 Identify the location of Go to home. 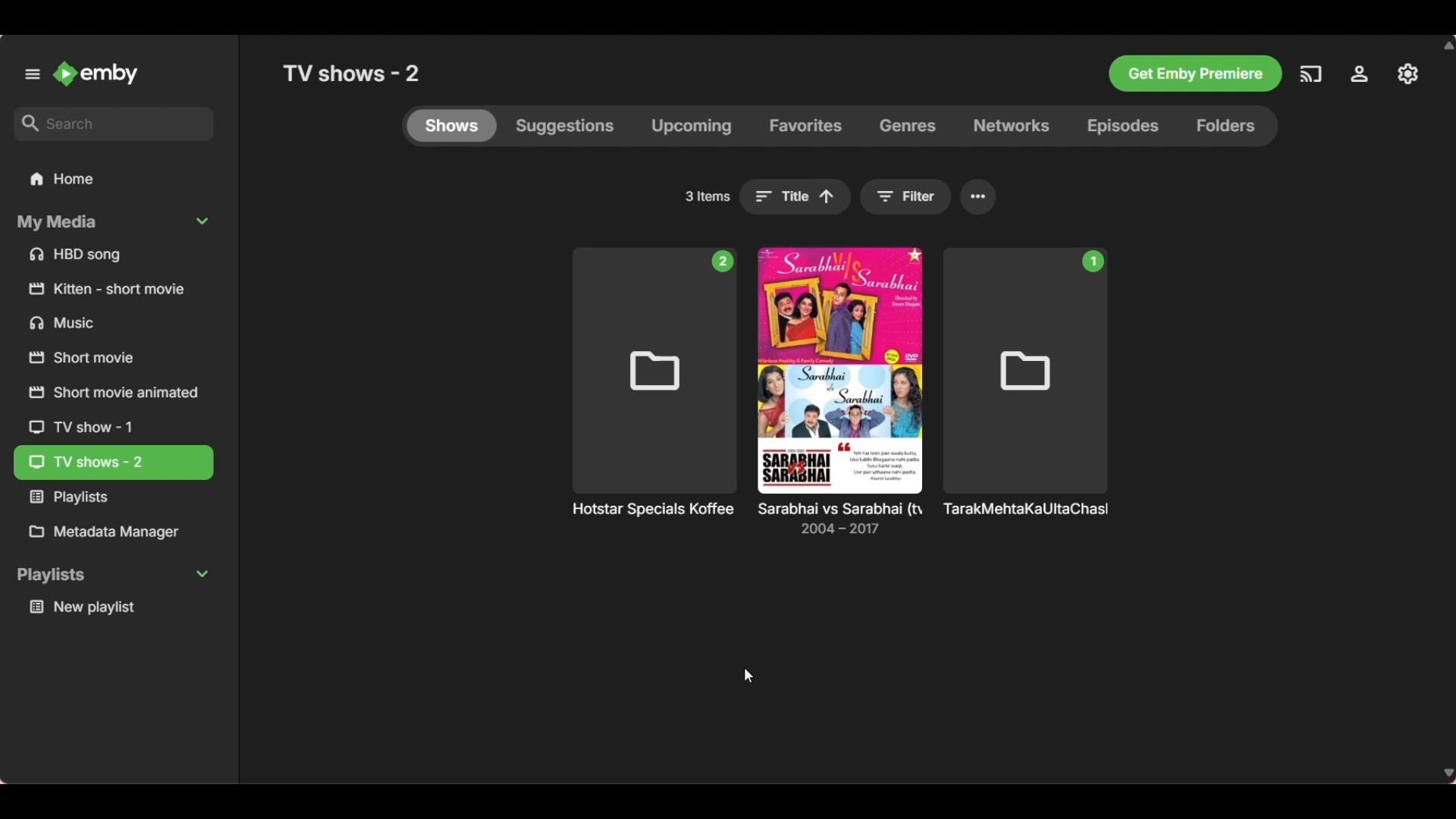
(96, 73).